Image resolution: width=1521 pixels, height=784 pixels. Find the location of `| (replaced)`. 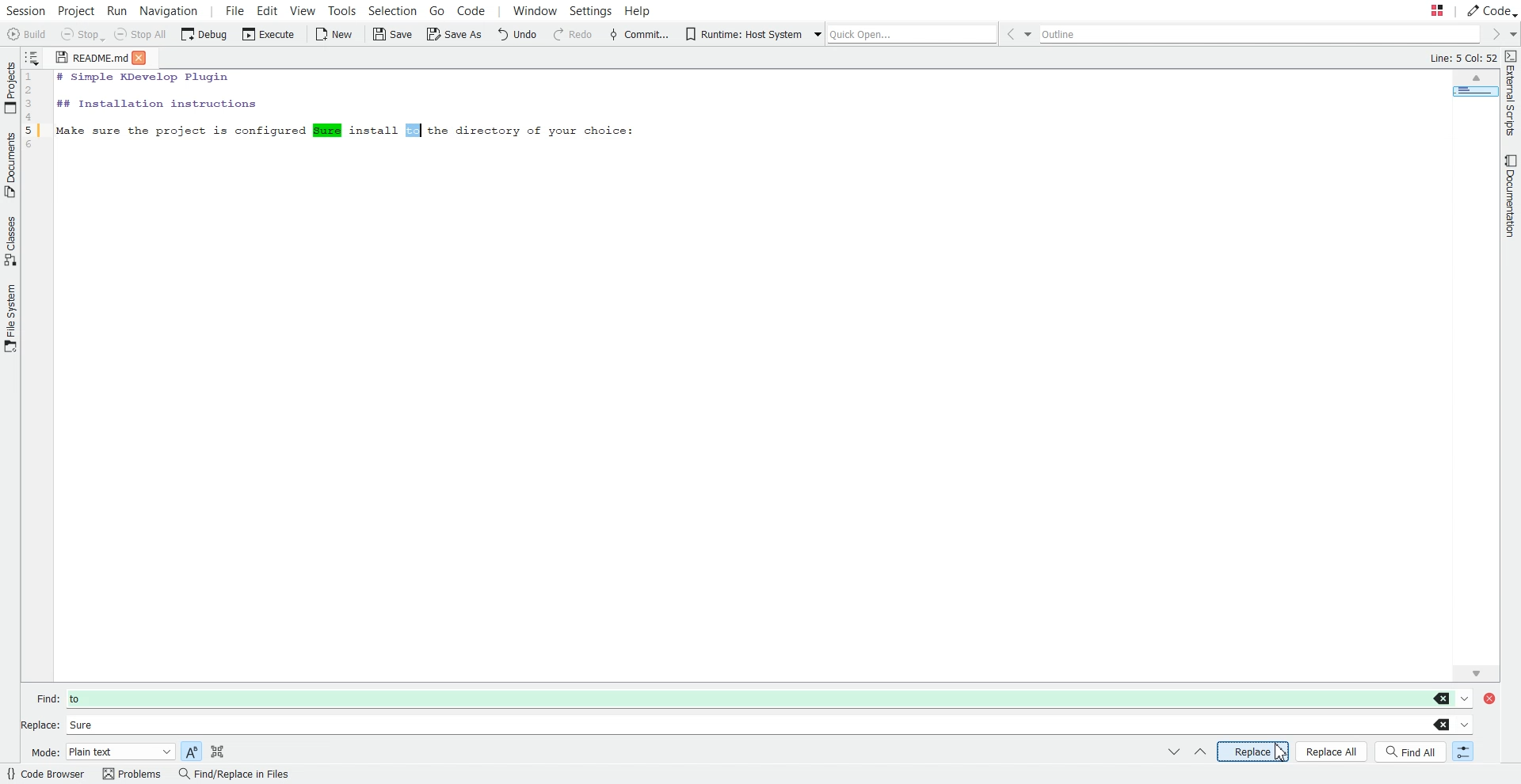

| (replaced) is located at coordinates (414, 130).